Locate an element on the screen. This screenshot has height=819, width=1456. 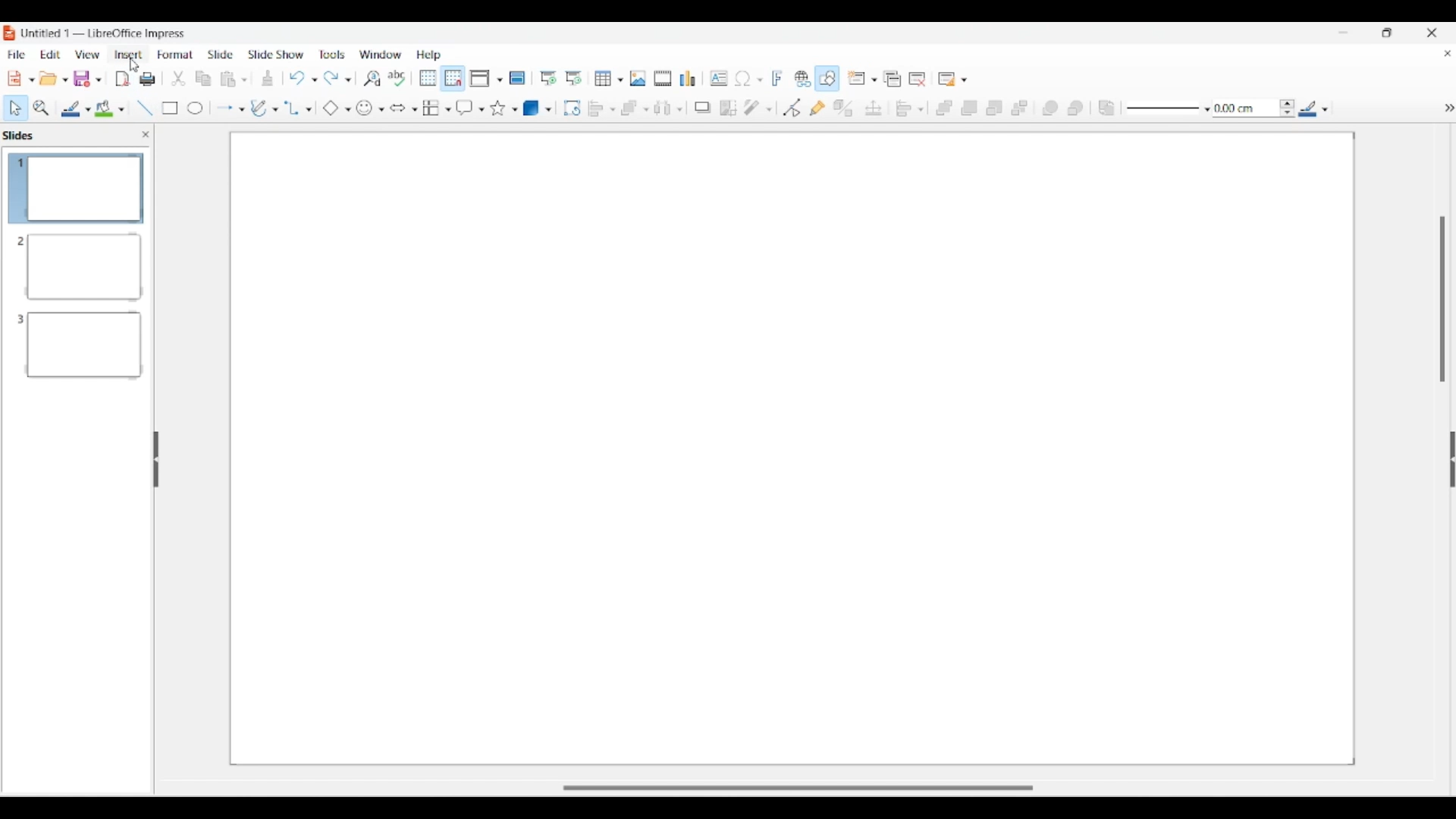
Input line thickness is located at coordinates (1245, 108).